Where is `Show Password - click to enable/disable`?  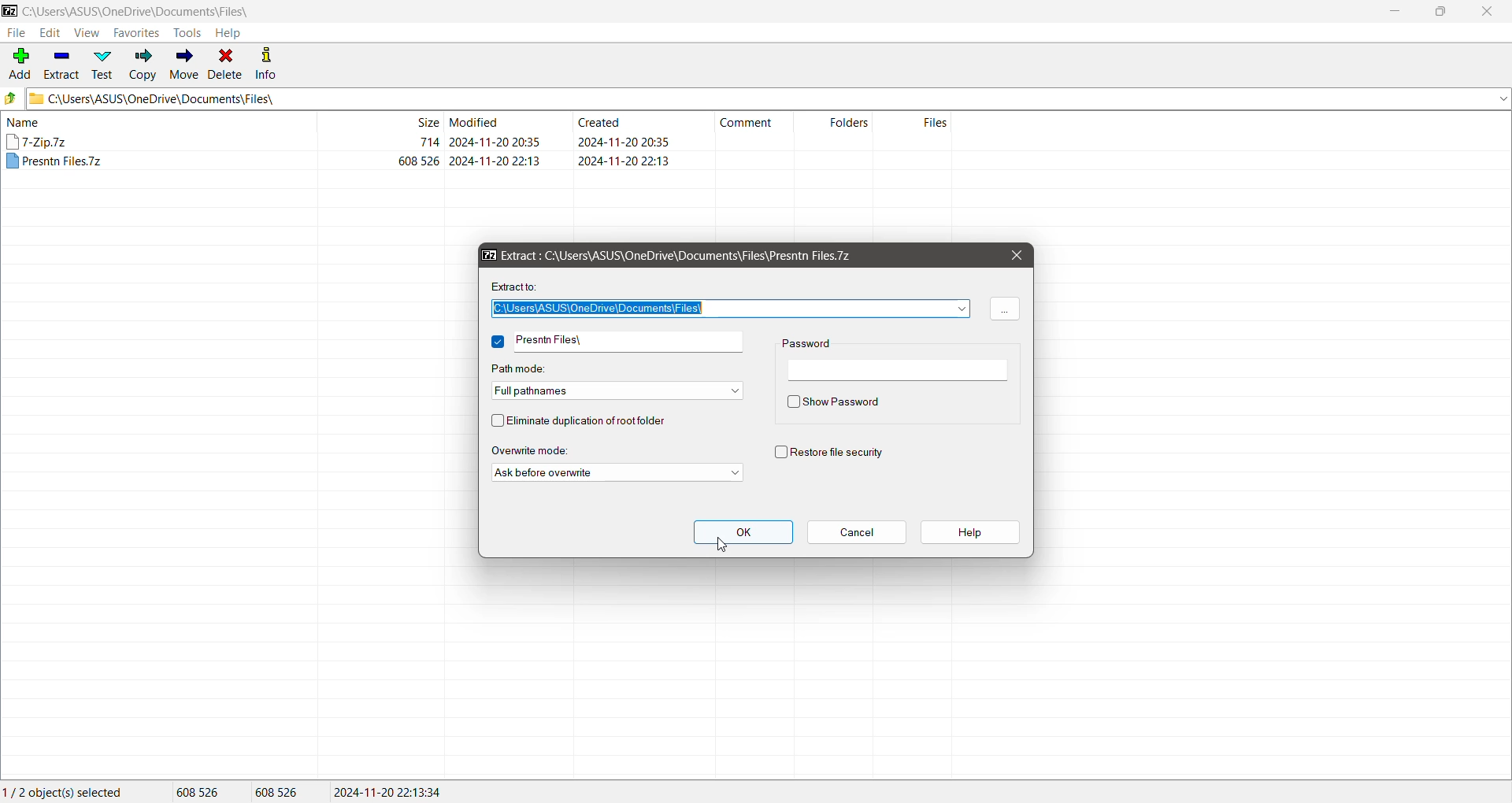 Show Password - click to enable/disable is located at coordinates (833, 404).